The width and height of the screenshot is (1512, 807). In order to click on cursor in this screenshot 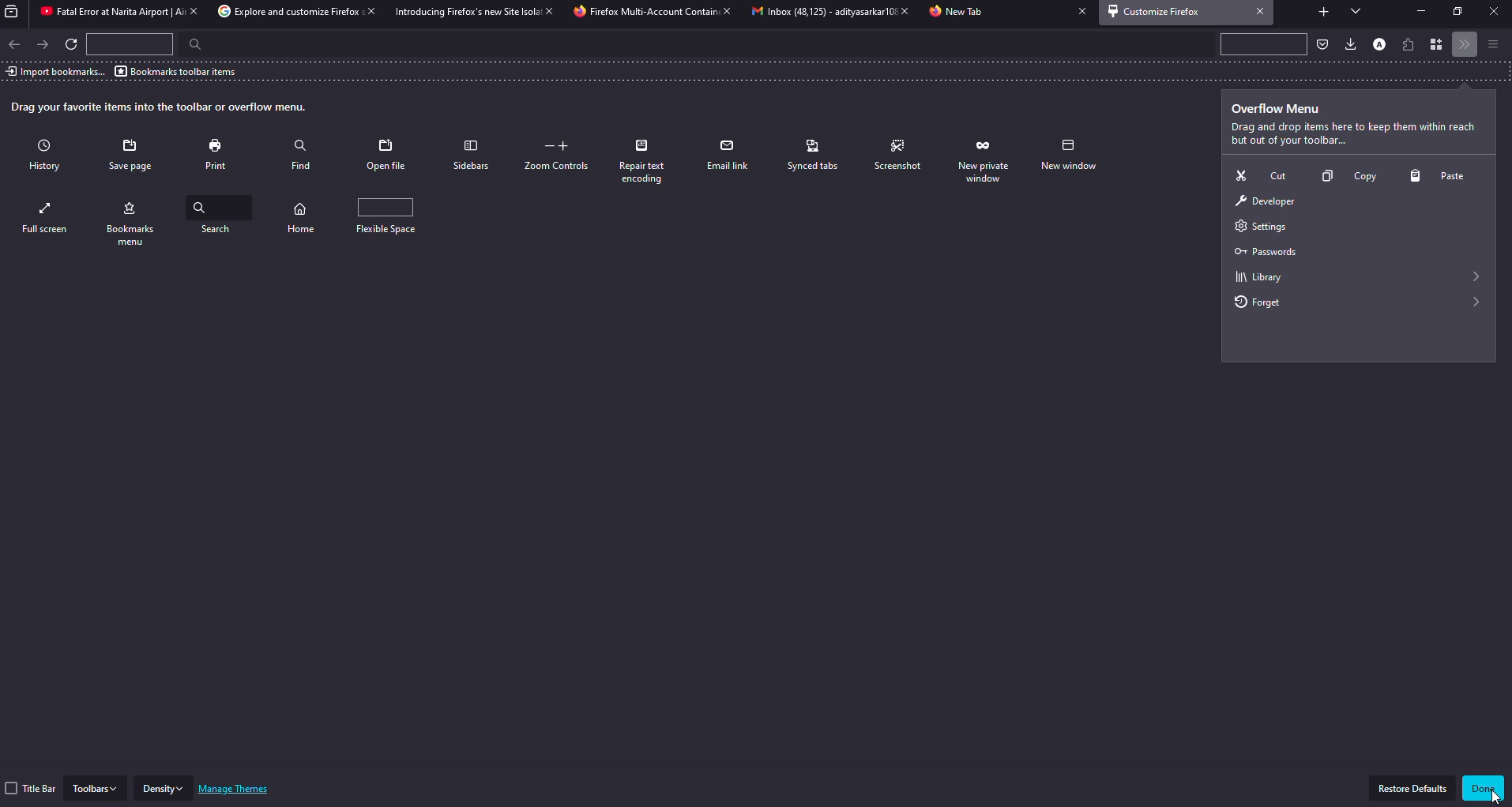, I will do `click(1495, 795)`.